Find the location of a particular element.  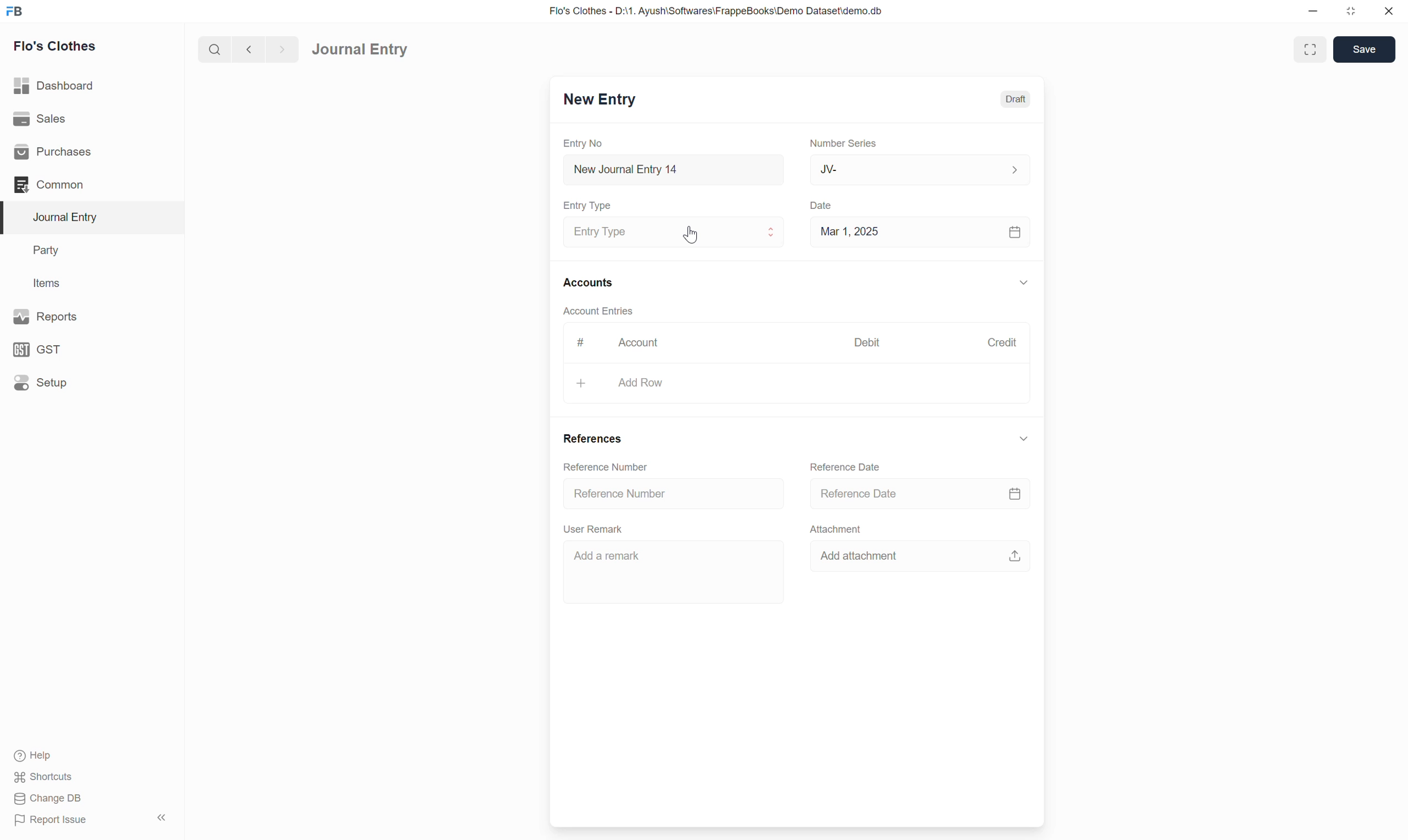

resize is located at coordinates (1349, 11).